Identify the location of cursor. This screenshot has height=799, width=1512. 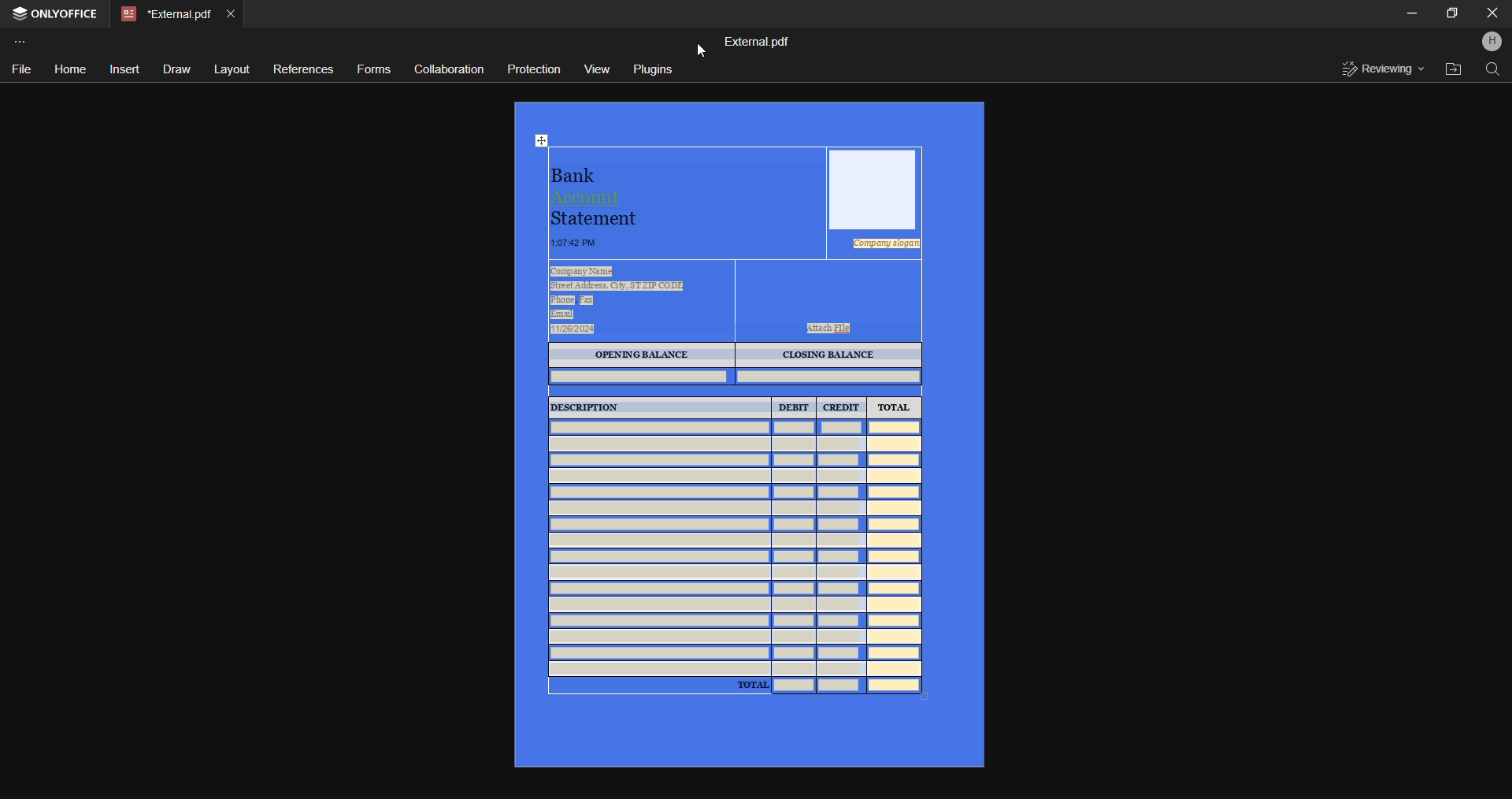
(702, 50).